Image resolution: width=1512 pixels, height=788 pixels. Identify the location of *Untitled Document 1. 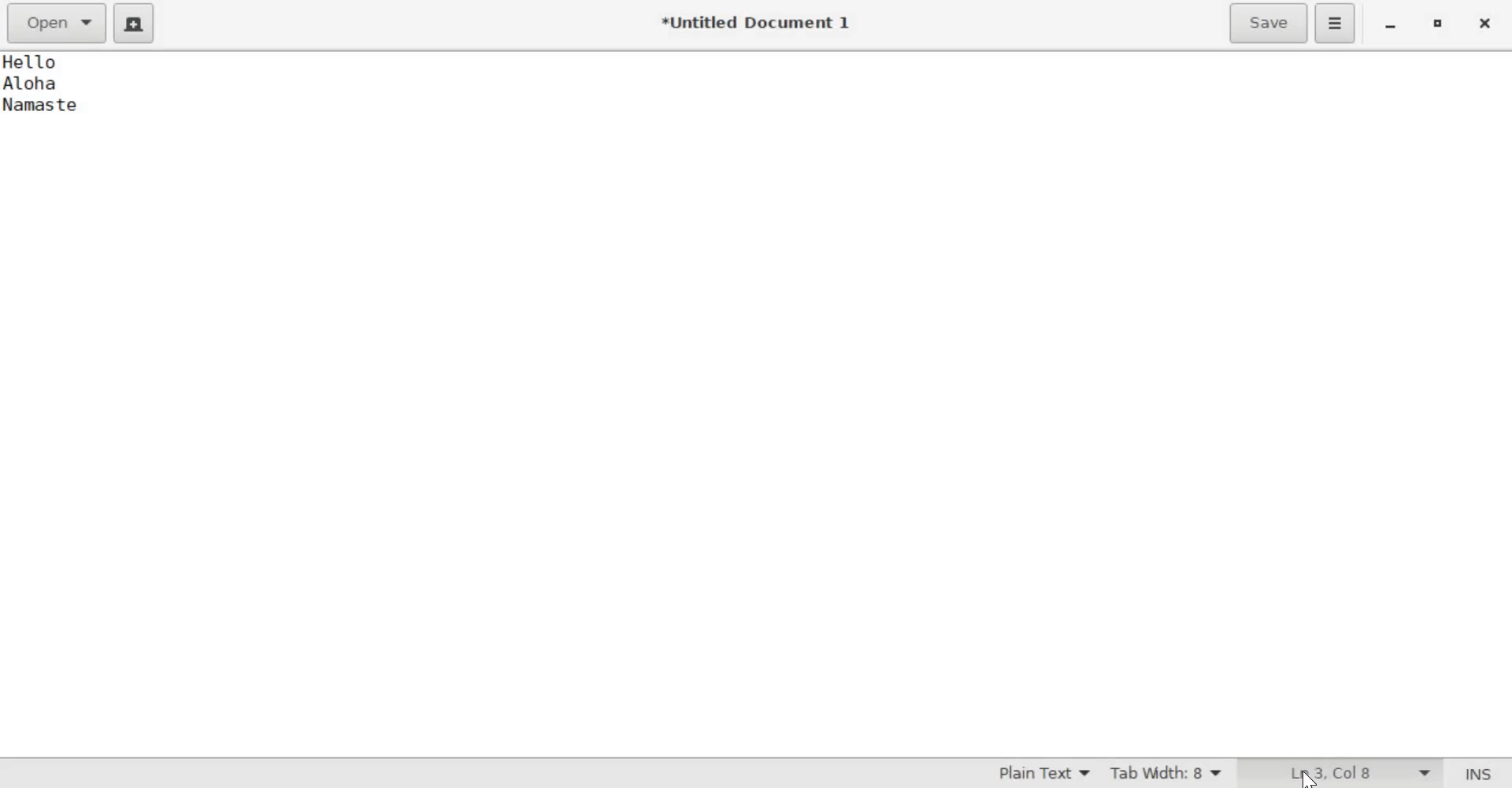
(754, 20).